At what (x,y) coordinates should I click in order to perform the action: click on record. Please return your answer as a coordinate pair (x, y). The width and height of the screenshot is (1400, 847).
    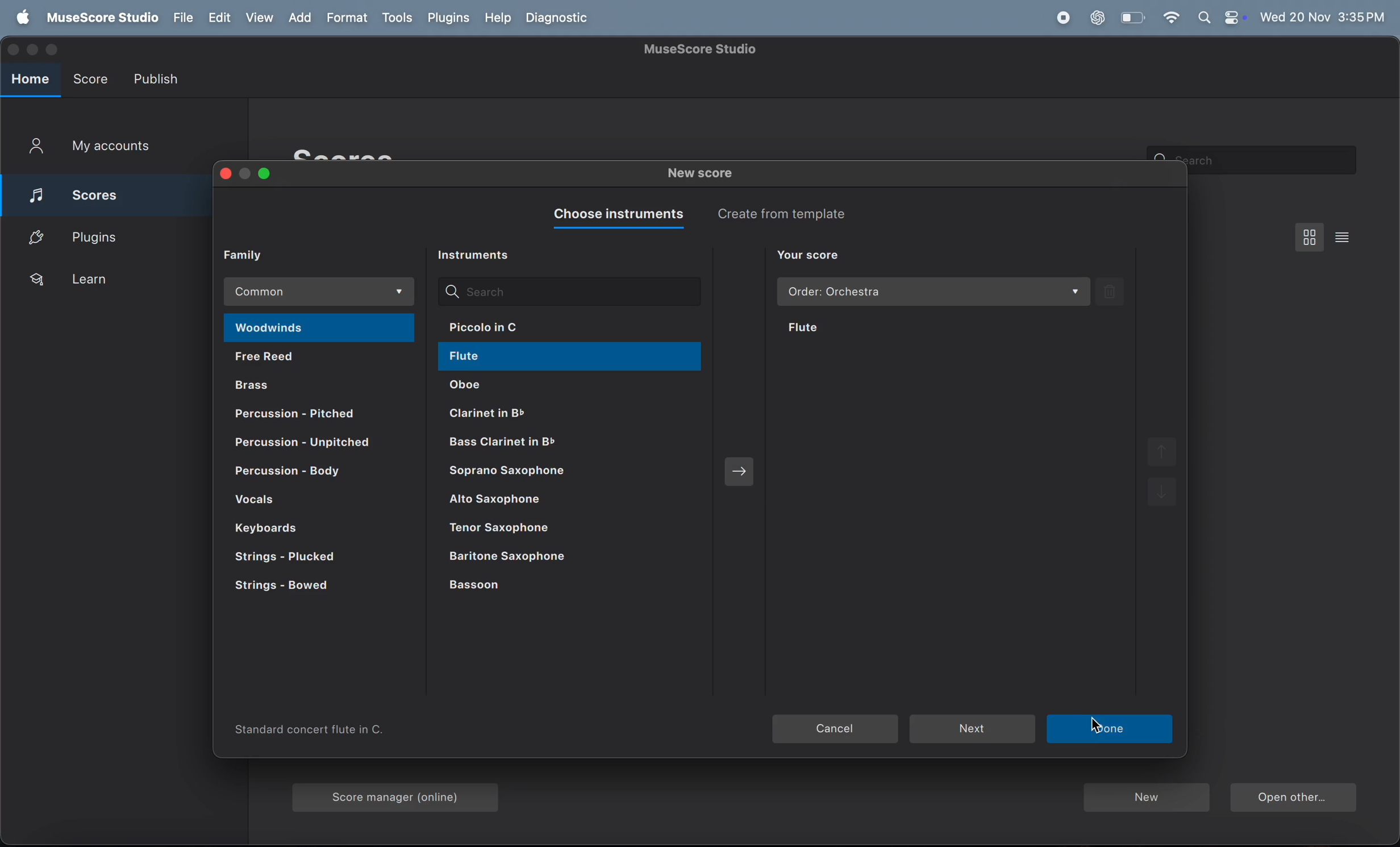
    Looking at the image, I should click on (1062, 18).